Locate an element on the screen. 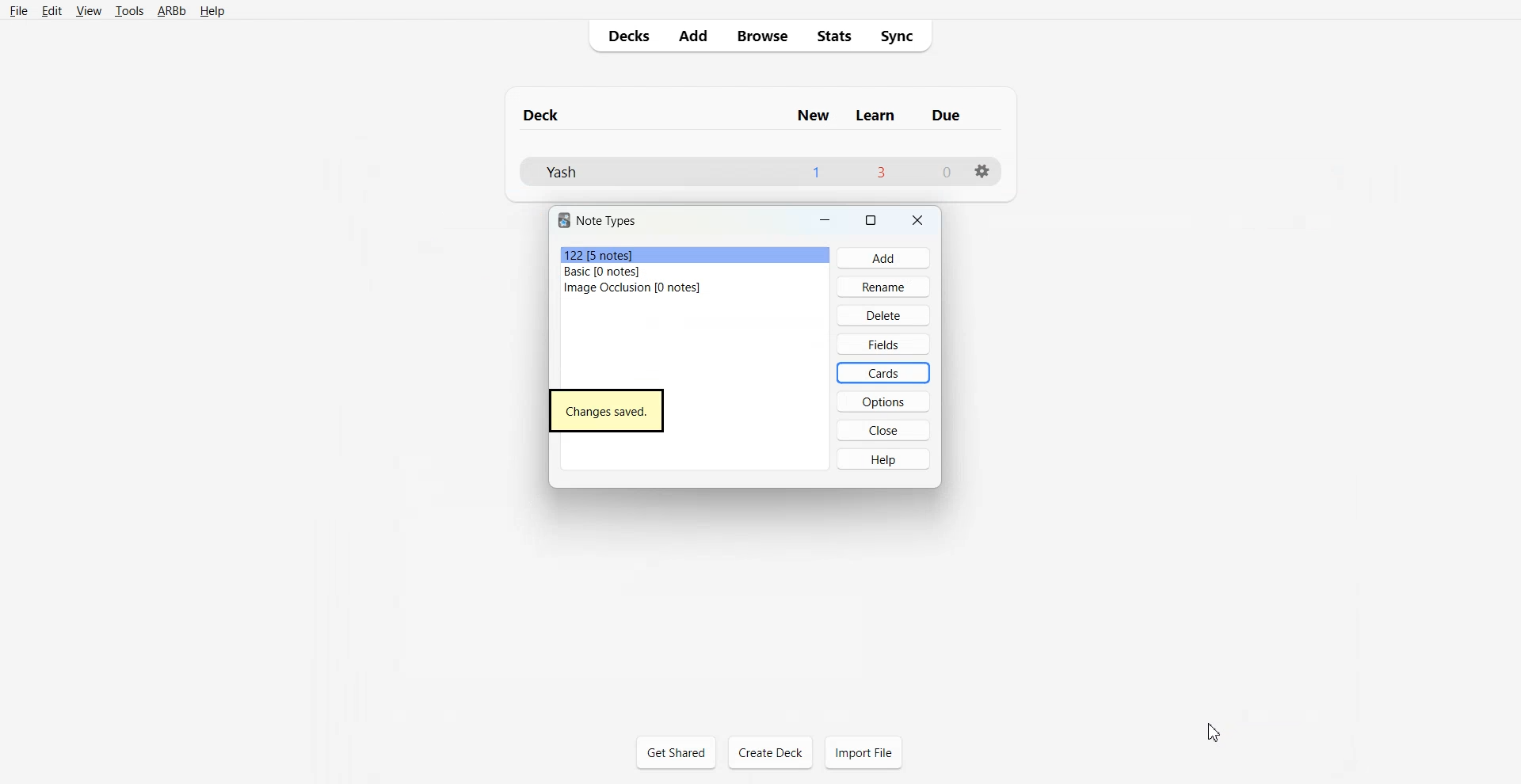 This screenshot has width=1521, height=784. Tools is located at coordinates (129, 11).